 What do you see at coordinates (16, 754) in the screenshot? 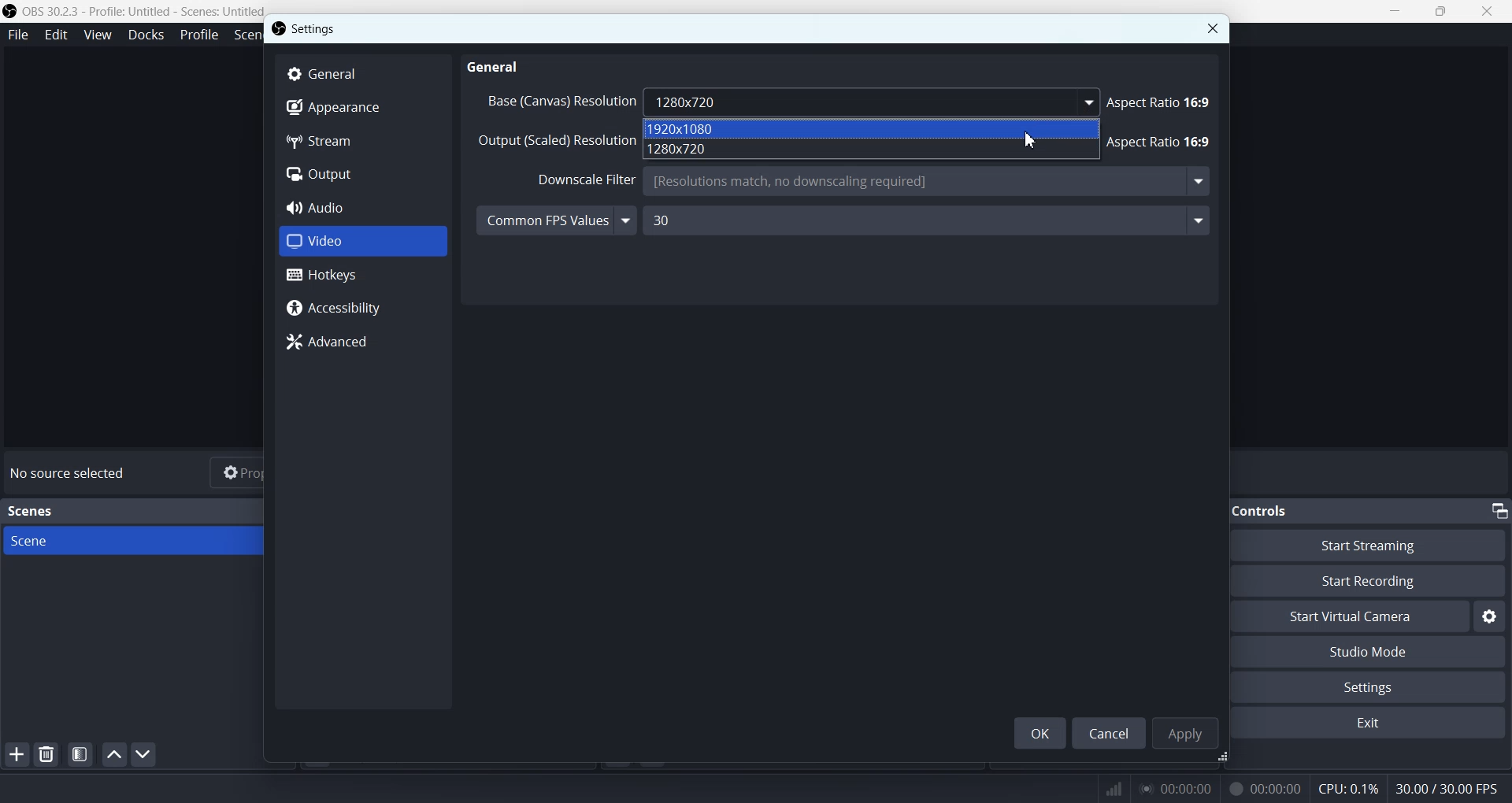
I see `Add Scene` at bounding box center [16, 754].